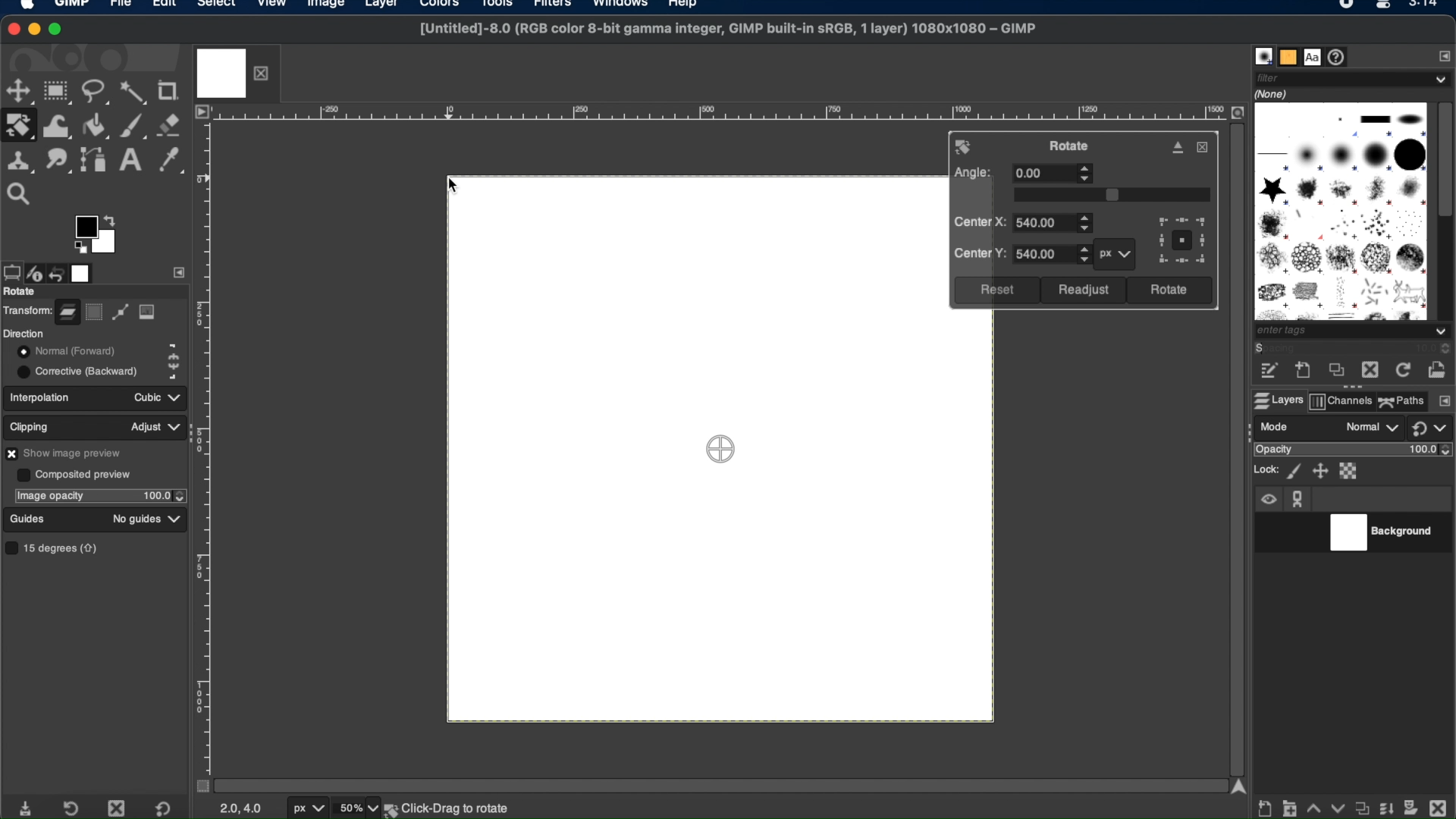 This screenshot has height=819, width=1456. I want to click on zoom tool, so click(24, 192).